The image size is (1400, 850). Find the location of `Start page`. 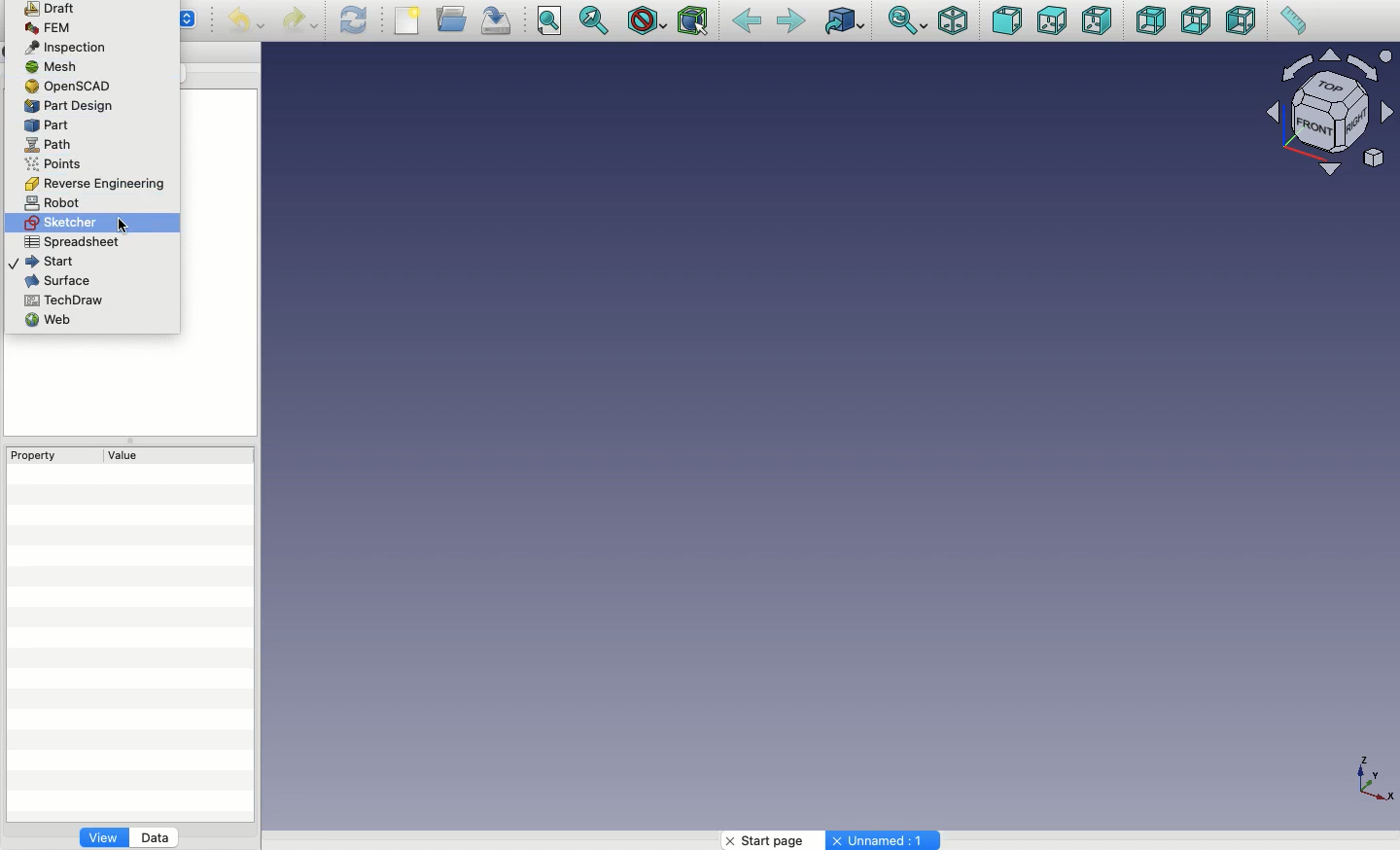

Start page is located at coordinates (768, 840).